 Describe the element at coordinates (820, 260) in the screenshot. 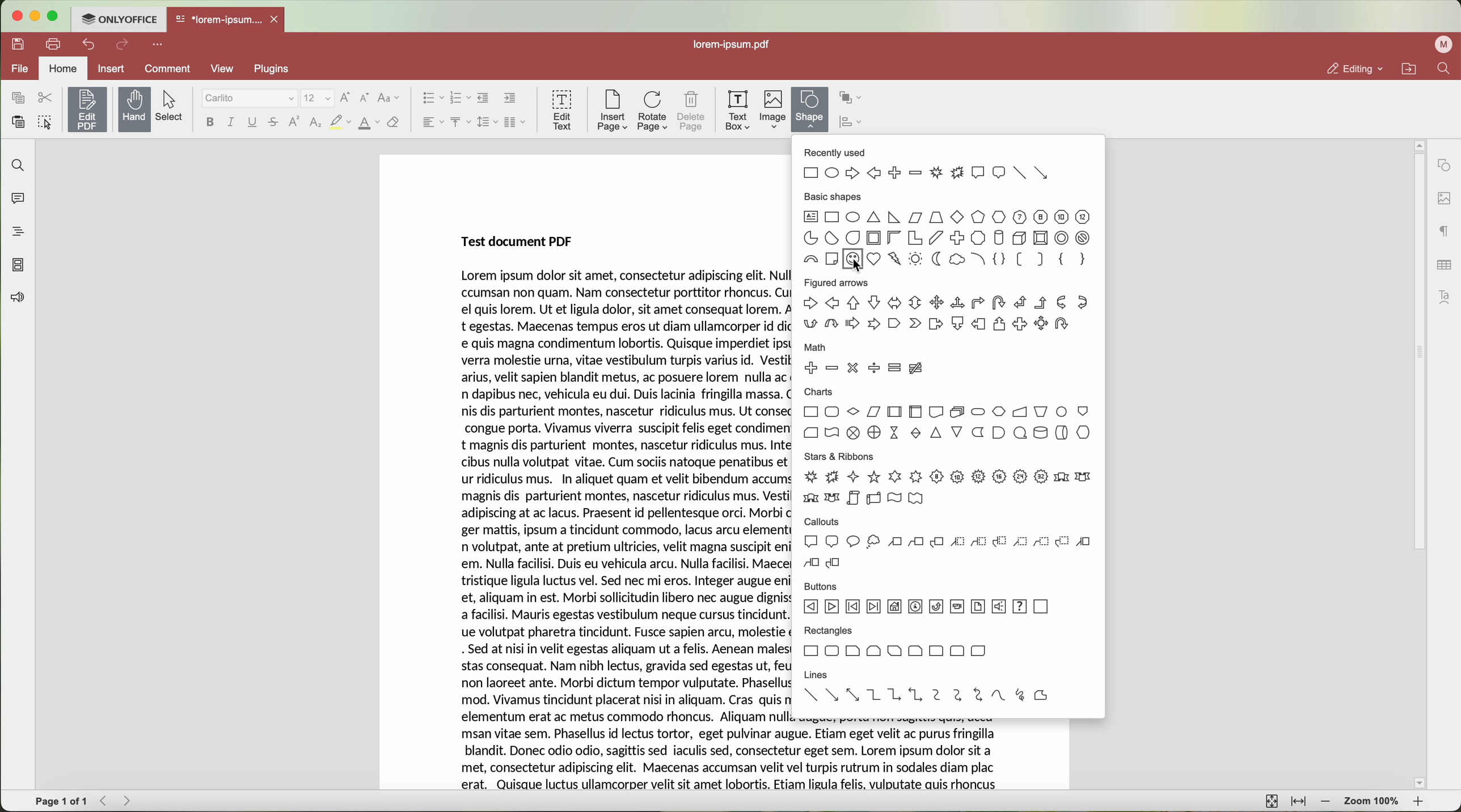

I see `basic shapes` at that location.